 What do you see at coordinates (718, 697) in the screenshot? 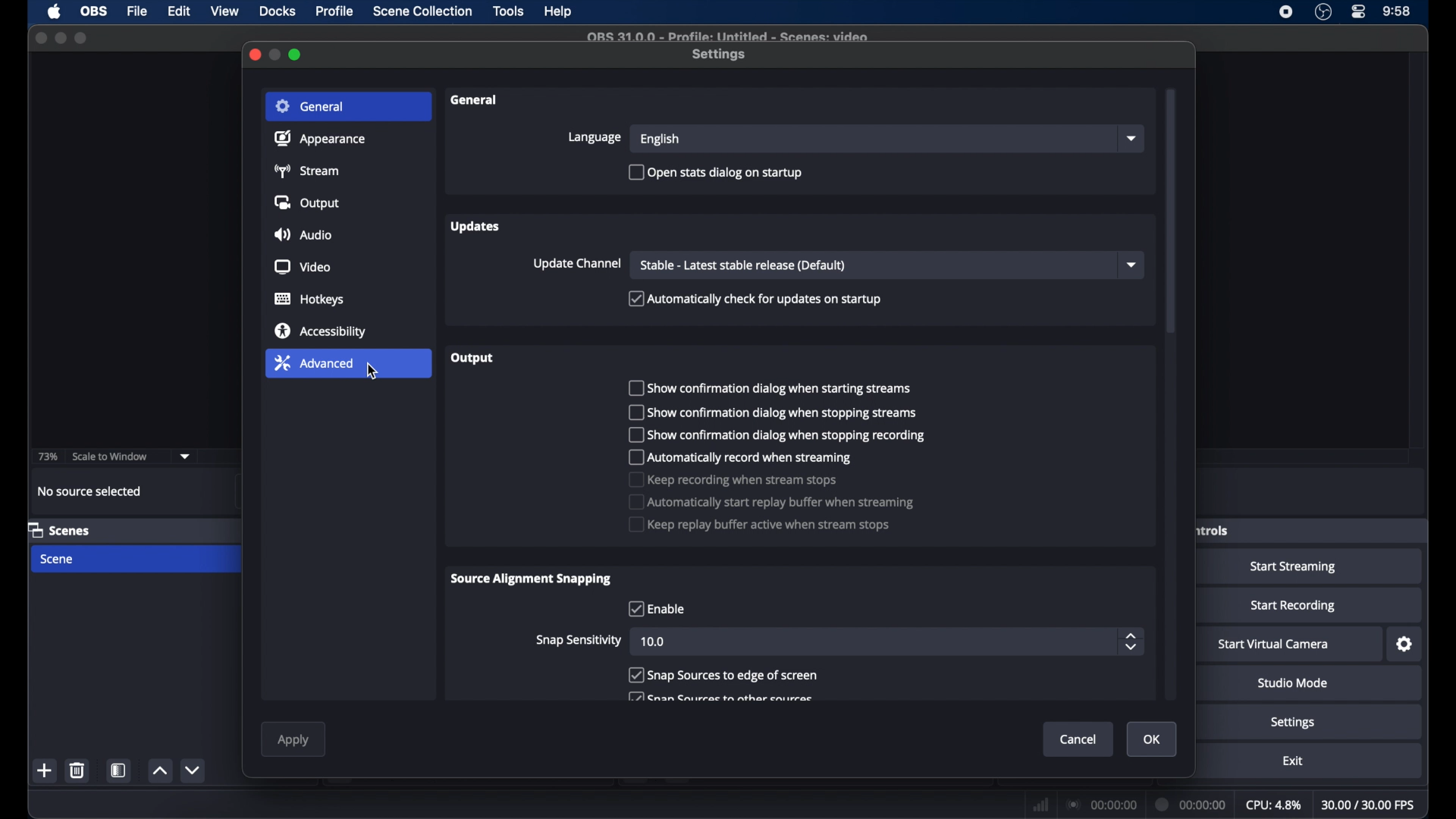
I see `checkbox` at bounding box center [718, 697].